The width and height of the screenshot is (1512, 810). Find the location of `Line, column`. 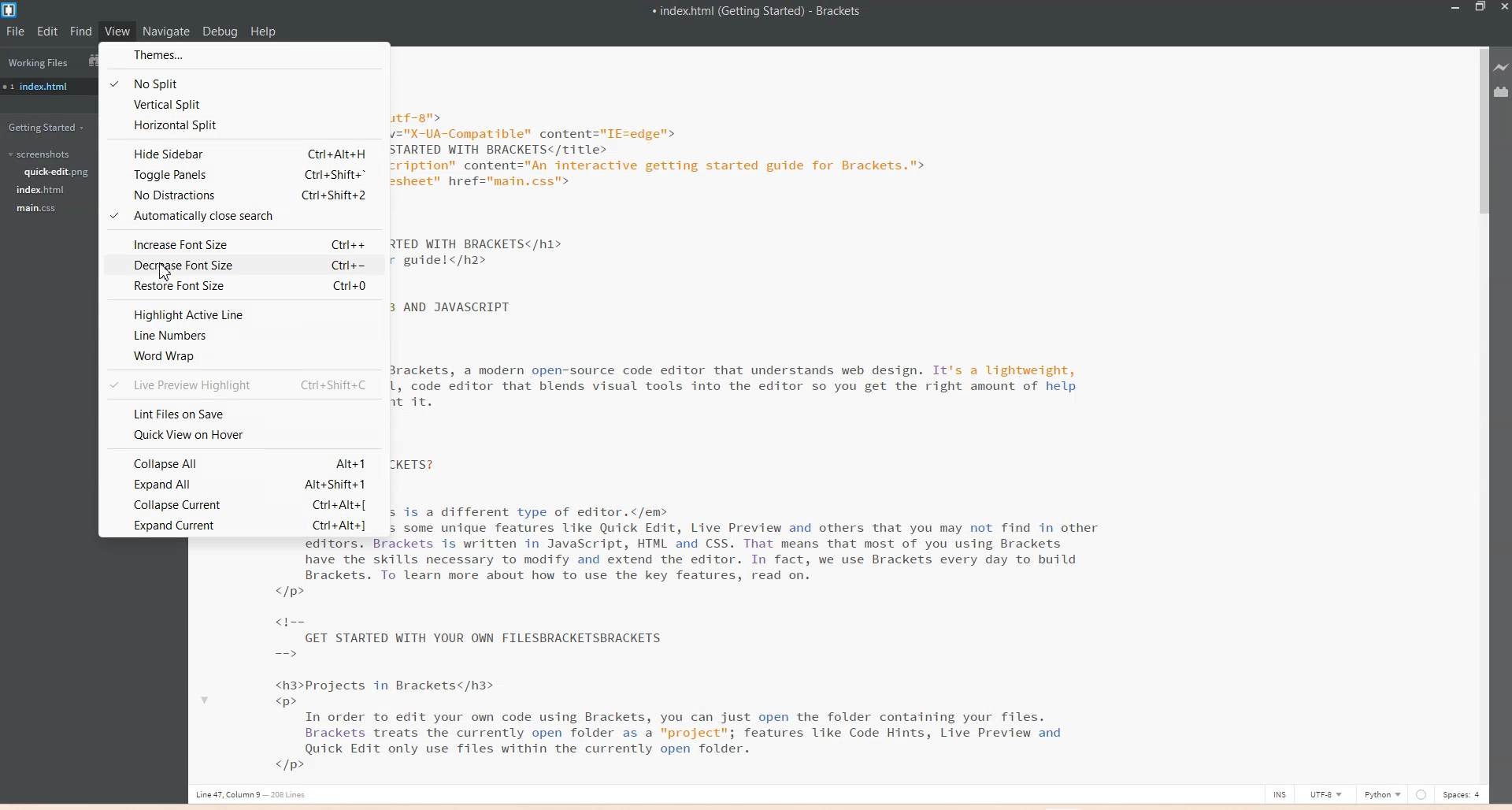

Line, column is located at coordinates (254, 797).